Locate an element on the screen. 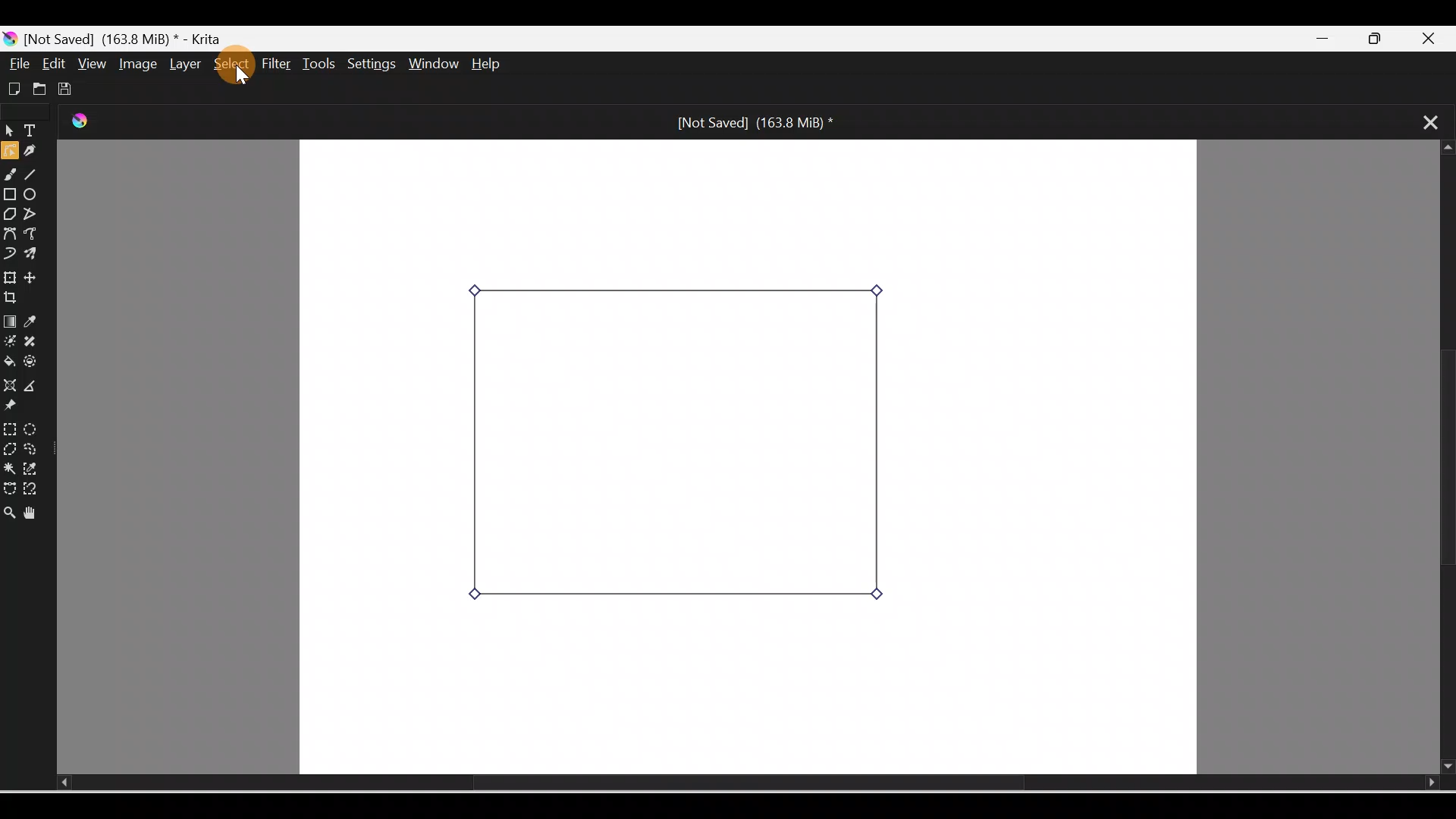  Select shapes tool is located at coordinates (9, 133).